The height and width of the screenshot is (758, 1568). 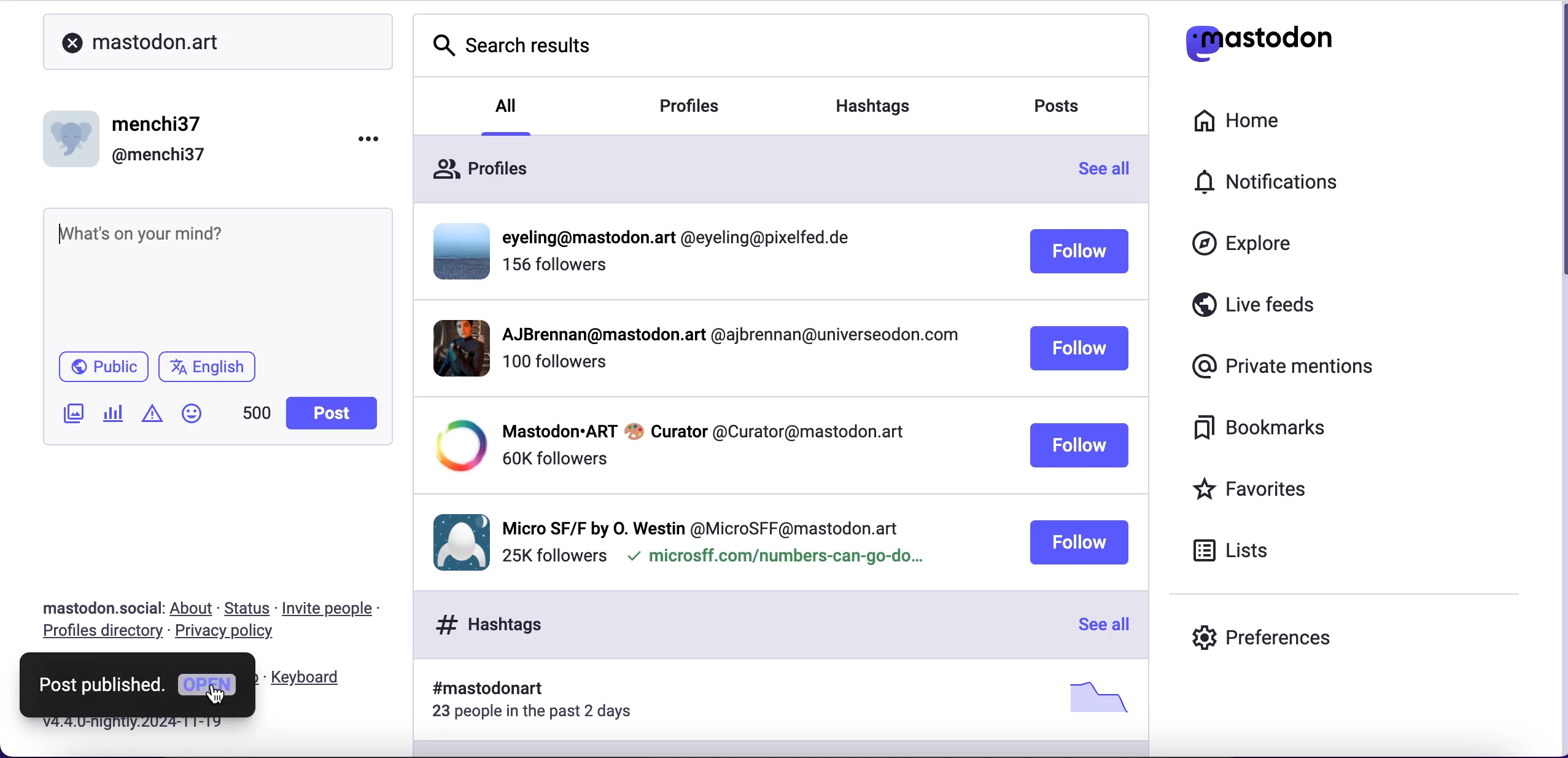 What do you see at coordinates (207, 367) in the screenshot?
I see `english` at bounding box center [207, 367].